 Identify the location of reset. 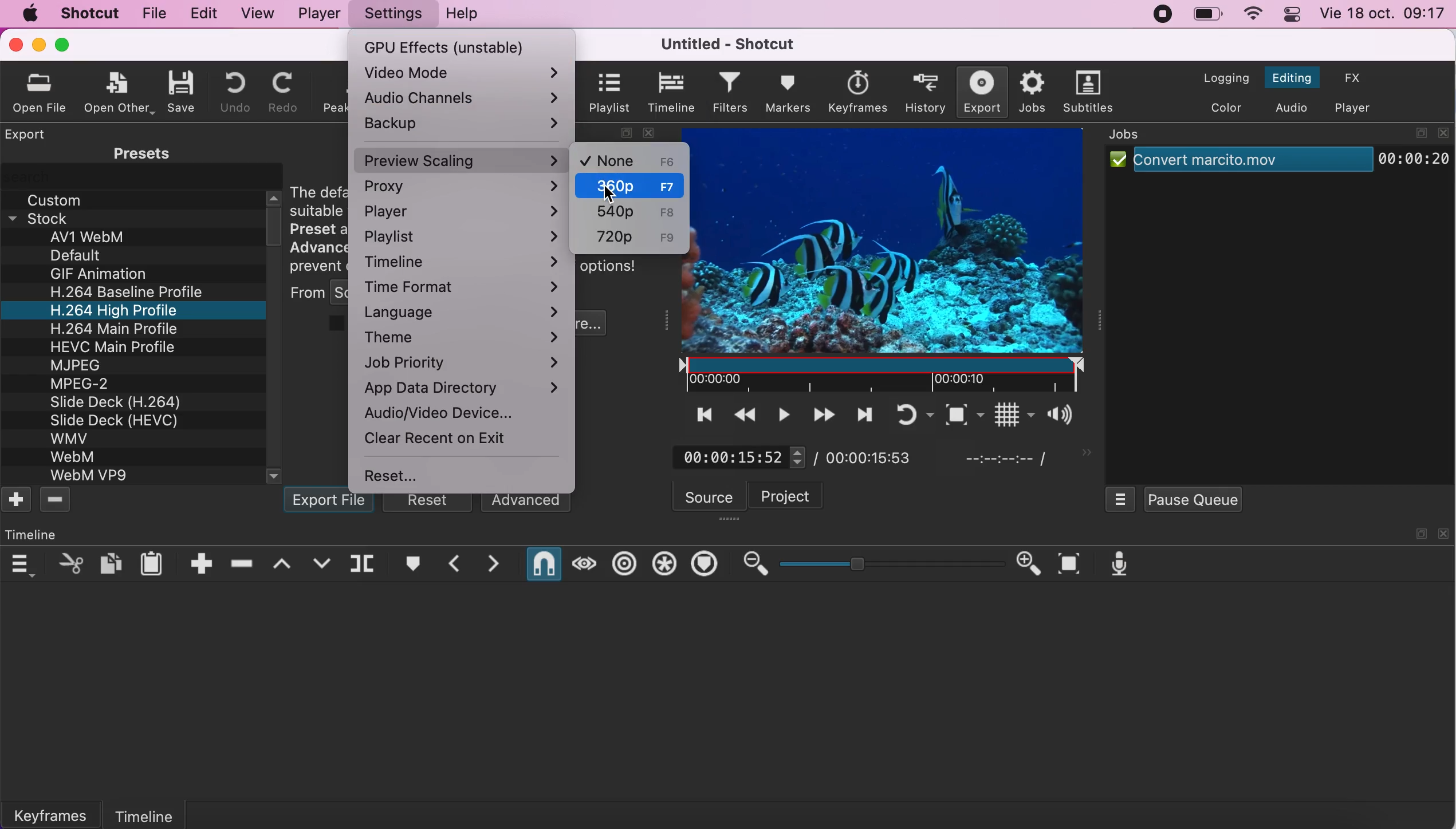
(431, 503).